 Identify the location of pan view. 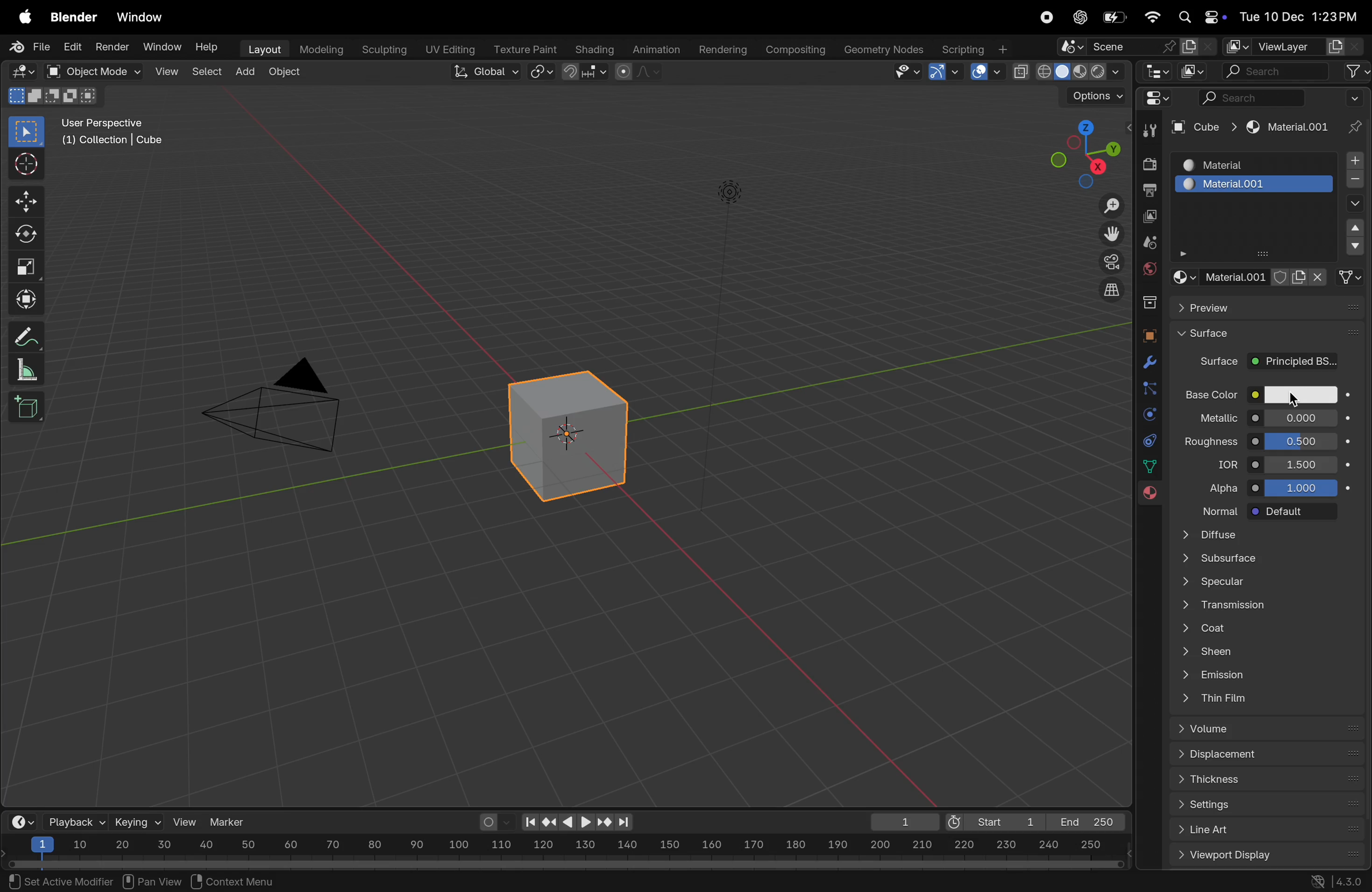
(152, 880).